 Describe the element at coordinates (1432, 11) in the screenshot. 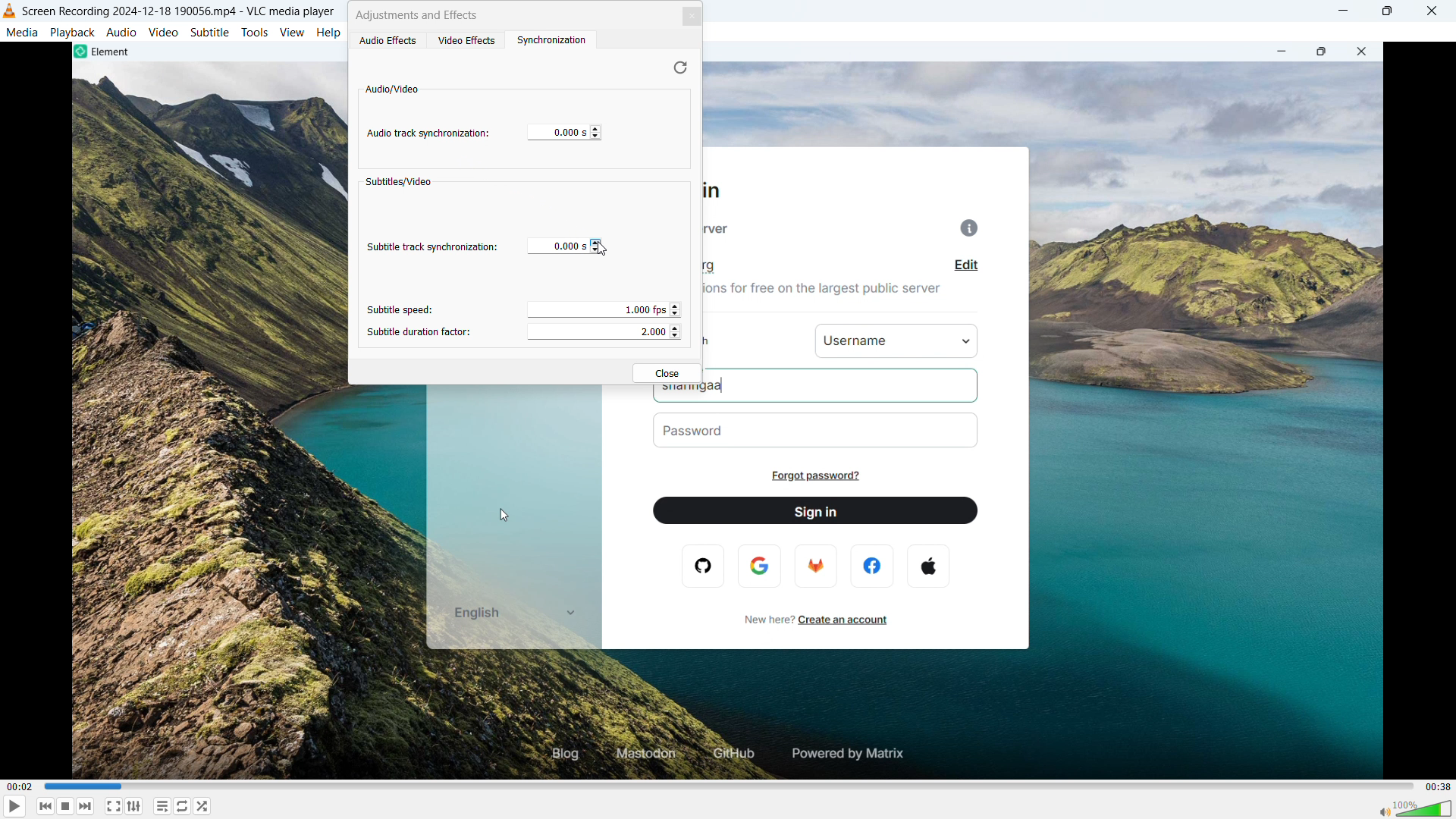

I see `close` at that location.